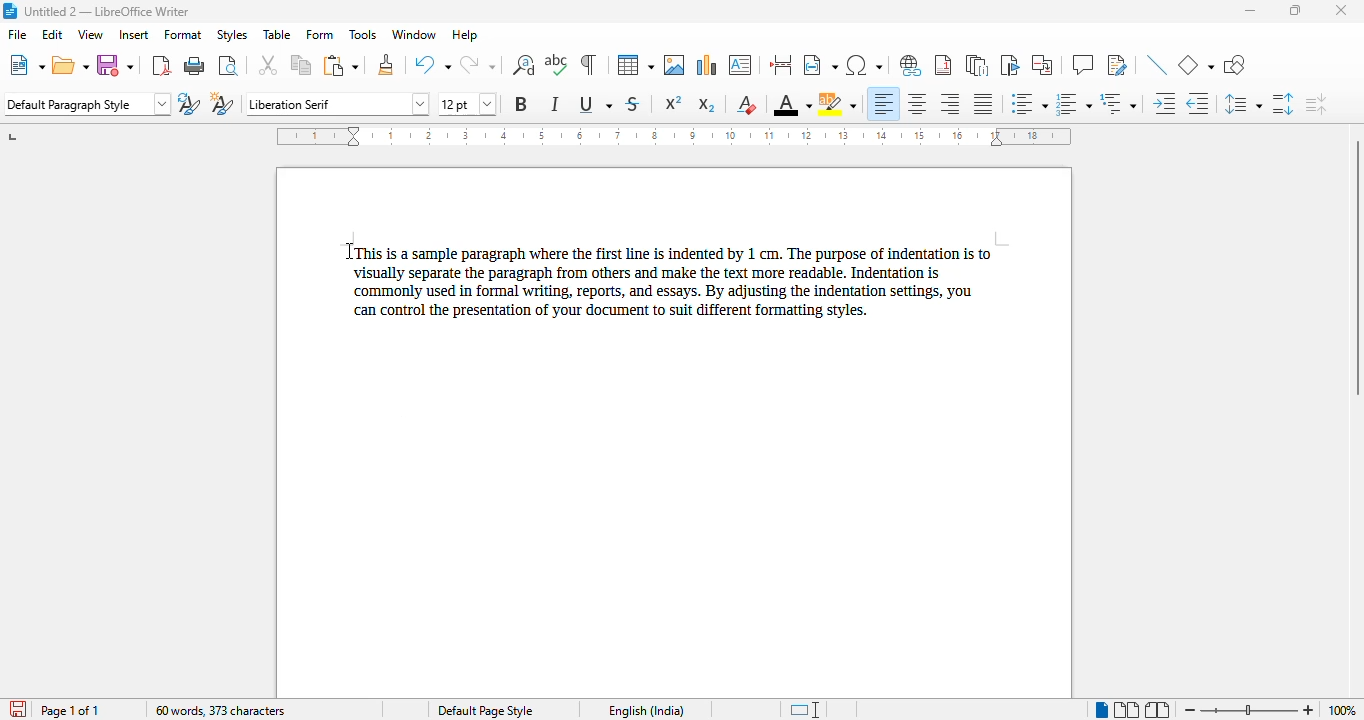 This screenshot has height=720, width=1364. Describe the element at coordinates (780, 65) in the screenshot. I see `insert page break` at that location.